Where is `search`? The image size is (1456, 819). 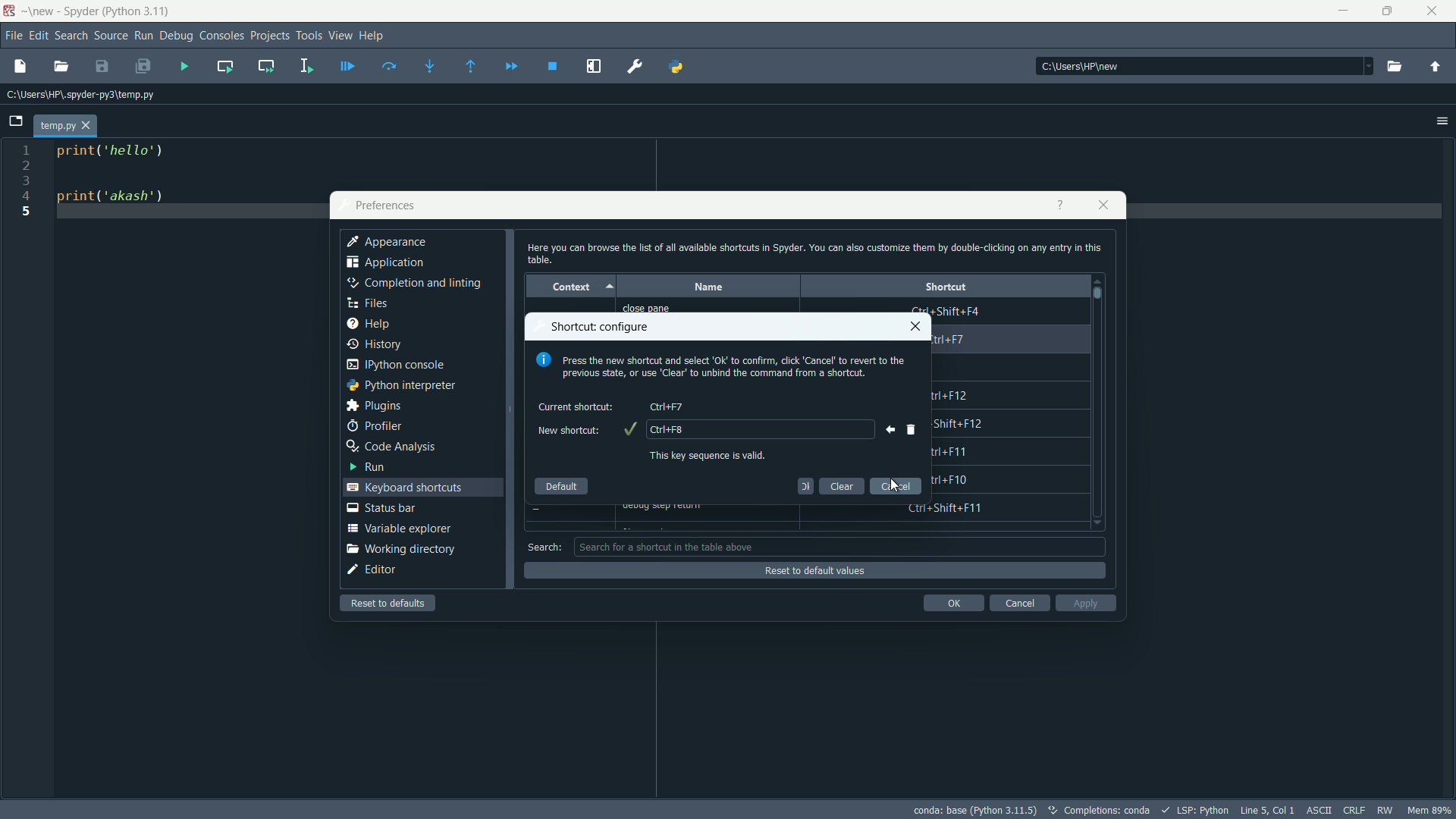
search is located at coordinates (544, 547).